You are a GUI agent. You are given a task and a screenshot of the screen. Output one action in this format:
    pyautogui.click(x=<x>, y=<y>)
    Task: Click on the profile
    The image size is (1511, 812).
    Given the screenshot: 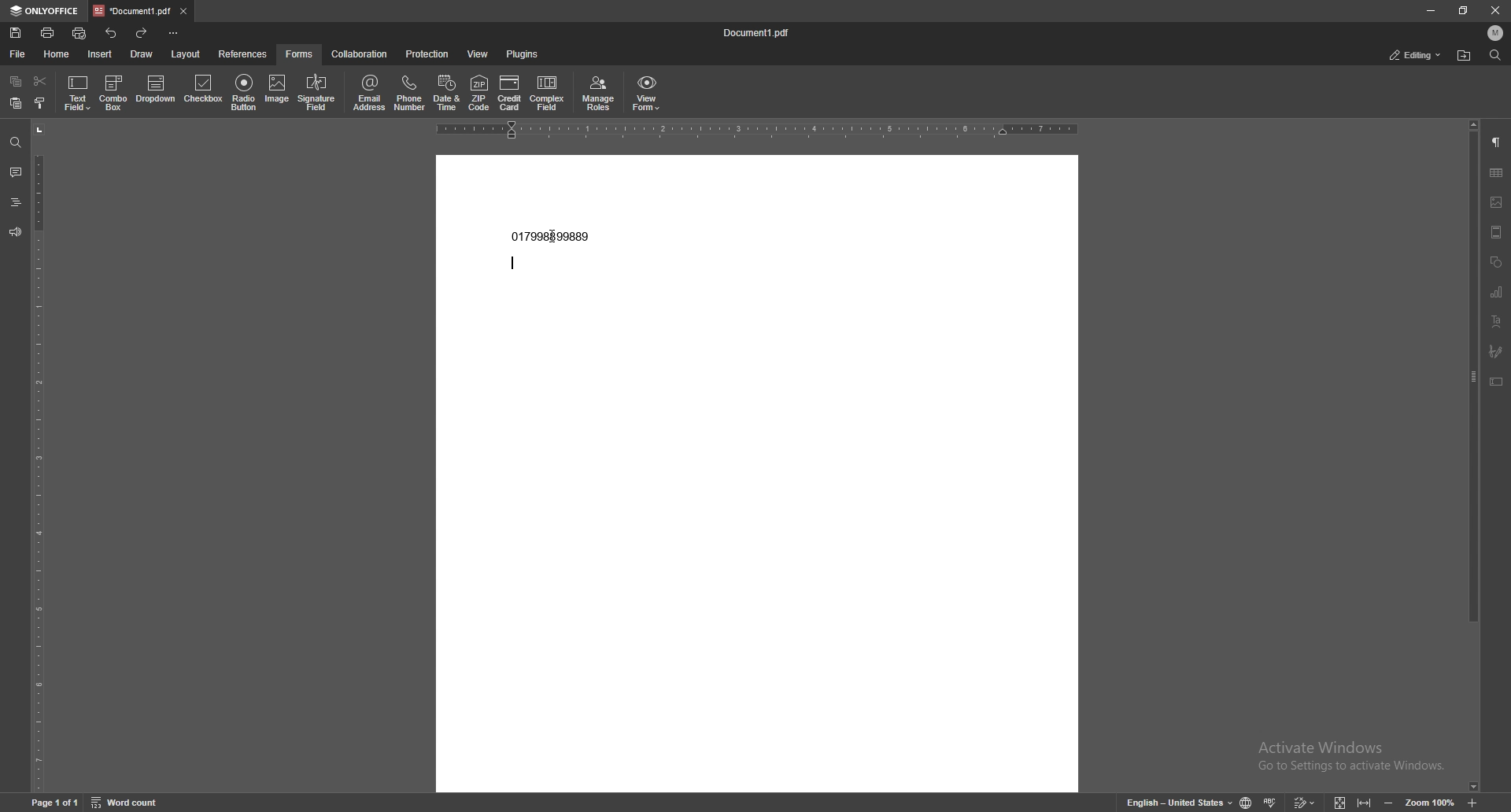 What is the action you would take?
    pyautogui.click(x=1495, y=33)
    